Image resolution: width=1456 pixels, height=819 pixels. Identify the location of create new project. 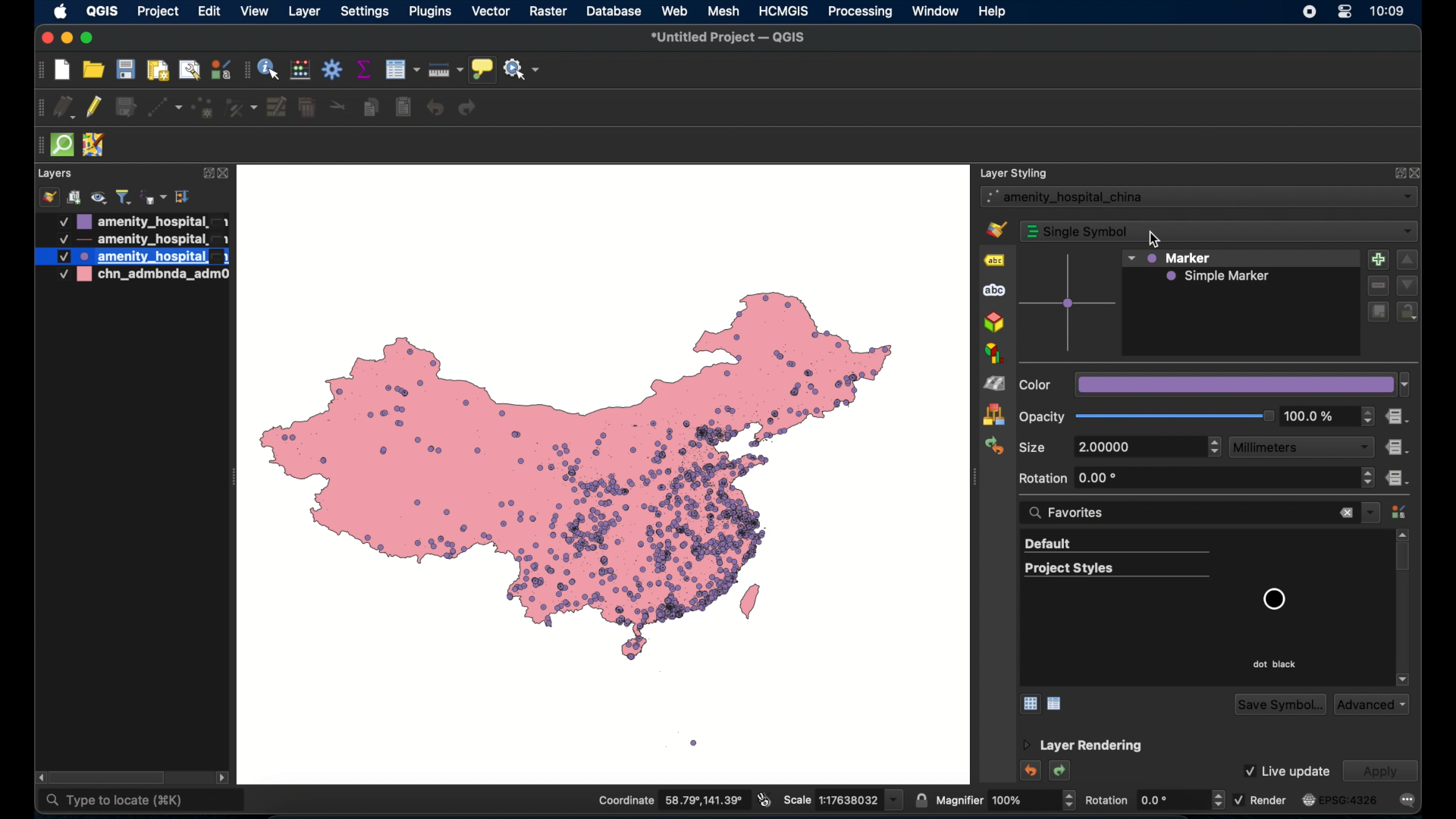
(61, 69).